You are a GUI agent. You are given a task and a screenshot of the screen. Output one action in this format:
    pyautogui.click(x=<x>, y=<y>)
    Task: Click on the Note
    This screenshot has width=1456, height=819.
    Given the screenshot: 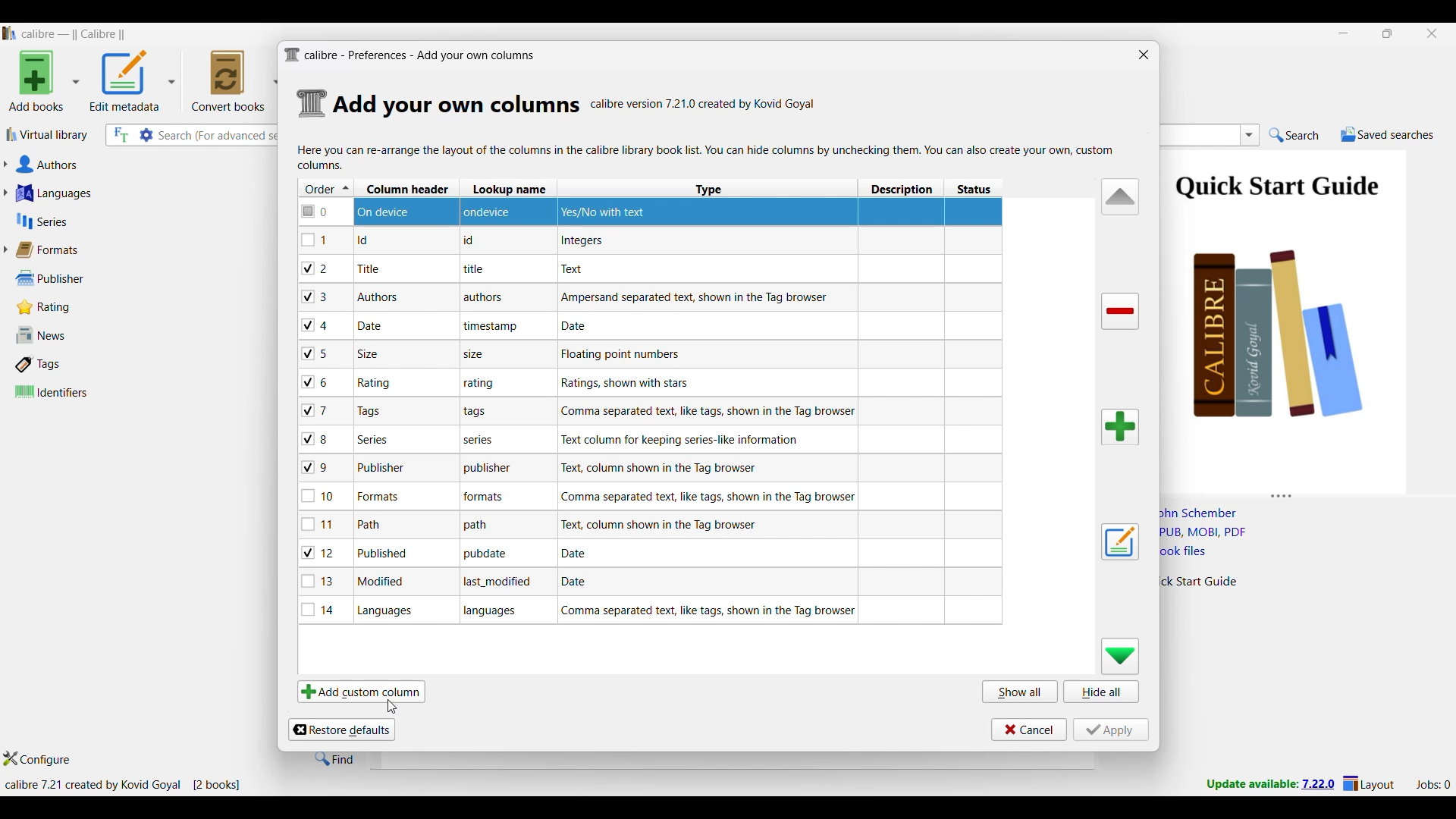 What is the action you would take?
    pyautogui.click(x=393, y=611)
    